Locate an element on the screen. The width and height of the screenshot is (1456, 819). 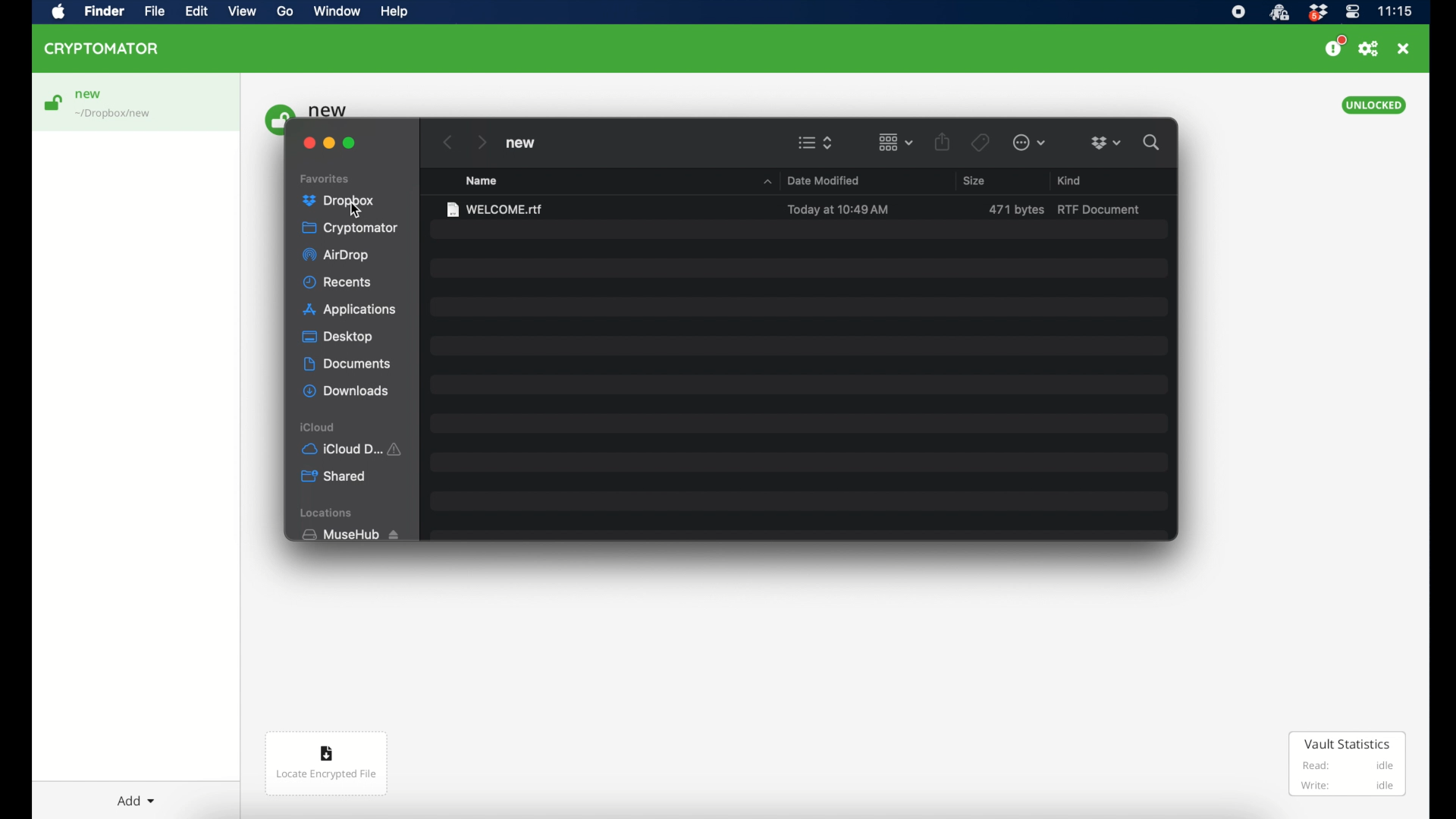
new is located at coordinates (89, 95).